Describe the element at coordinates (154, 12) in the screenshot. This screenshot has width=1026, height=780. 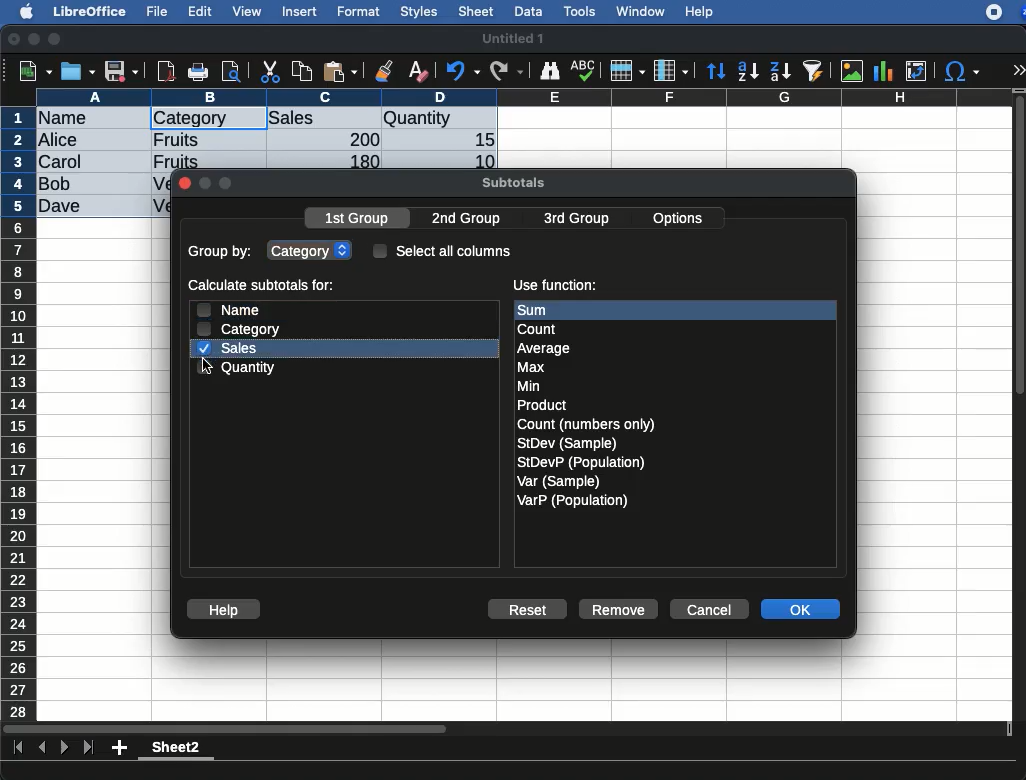
I see `file` at that location.